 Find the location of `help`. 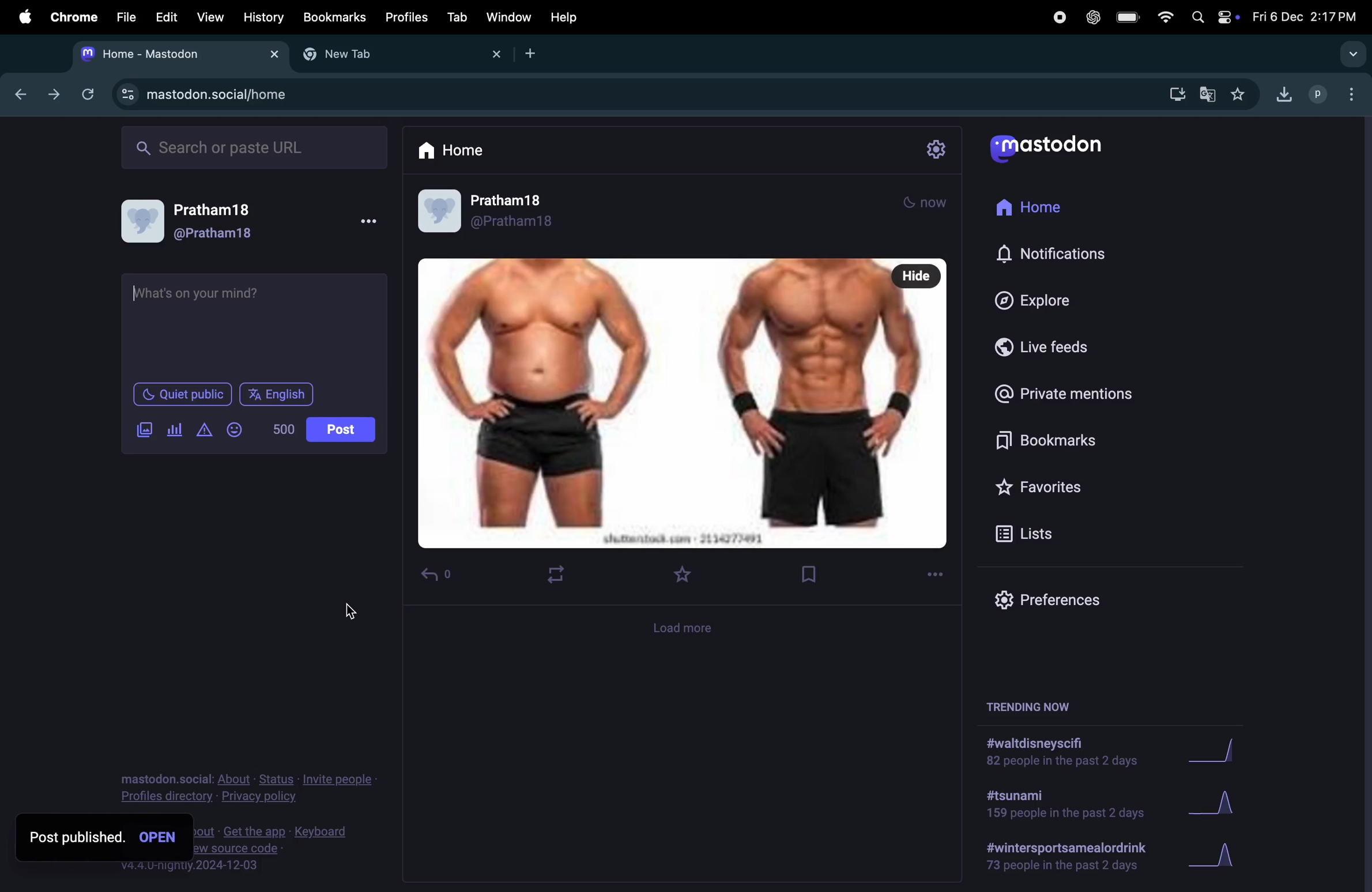

help is located at coordinates (564, 17).